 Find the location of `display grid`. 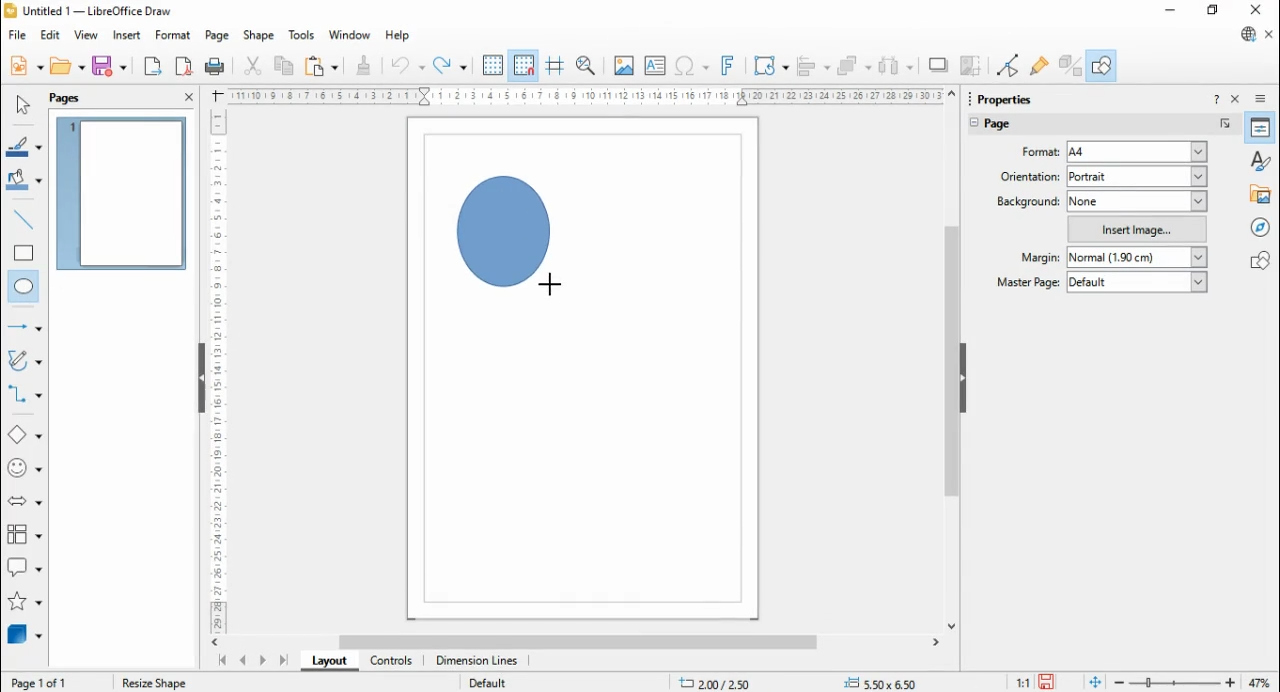

display grid is located at coordinates (492, 66).